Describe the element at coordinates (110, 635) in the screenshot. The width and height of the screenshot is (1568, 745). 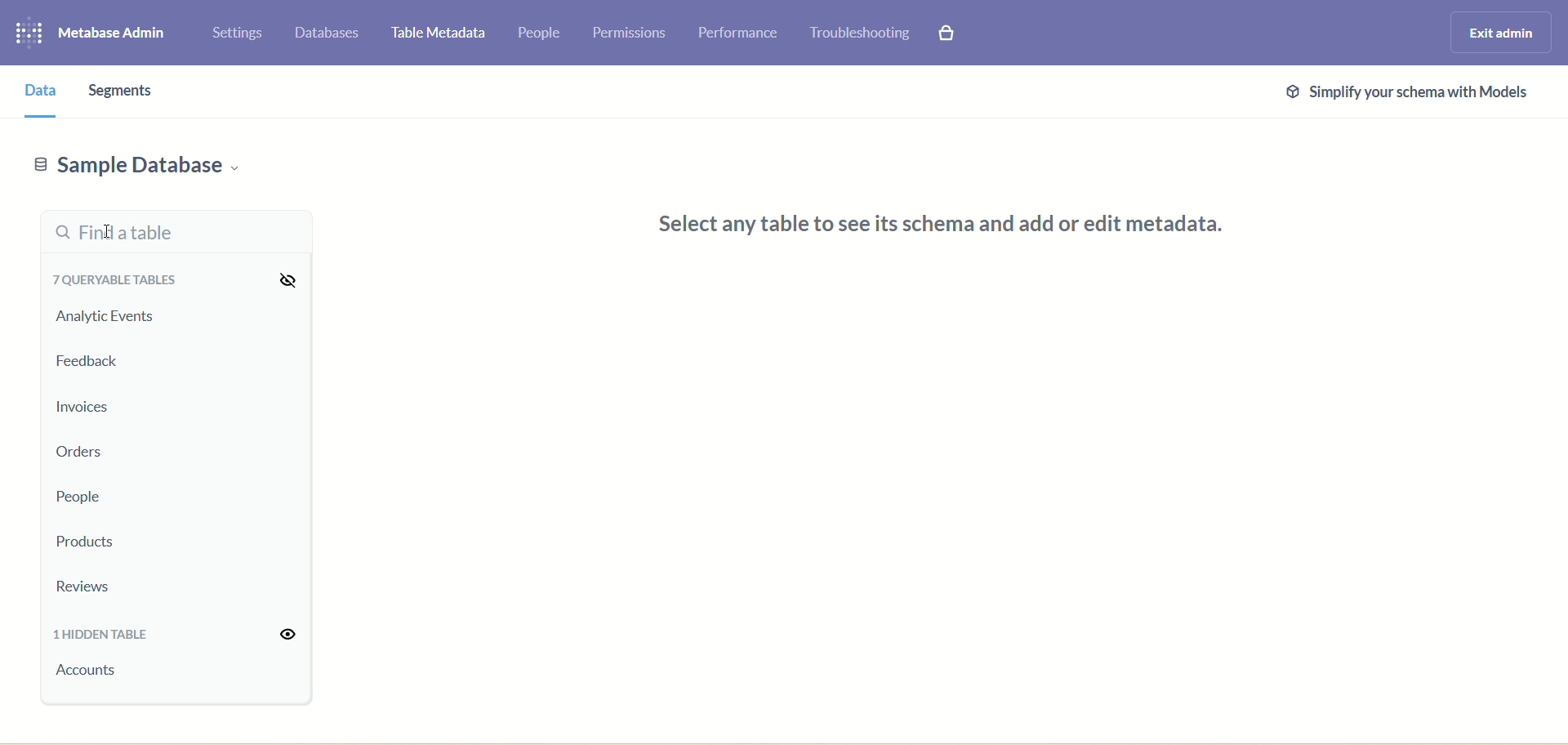
I see `1 hidden table` at that location.